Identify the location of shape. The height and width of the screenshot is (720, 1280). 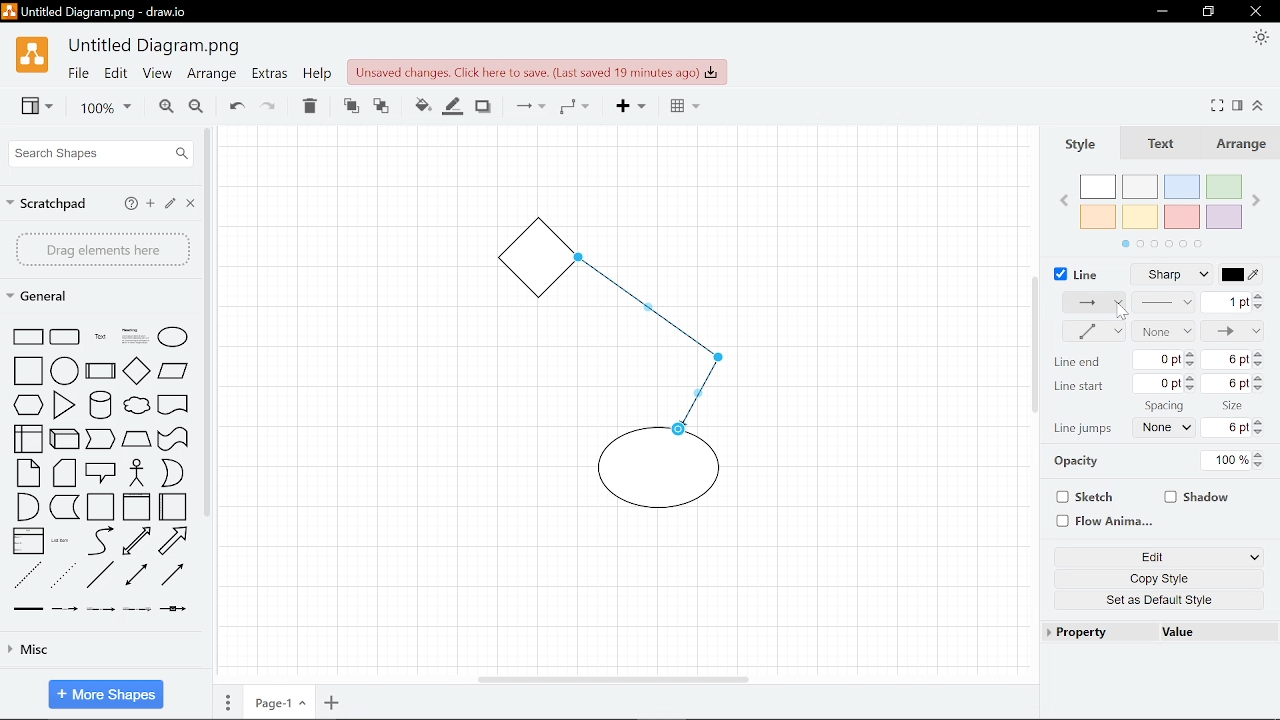
(28, 507).